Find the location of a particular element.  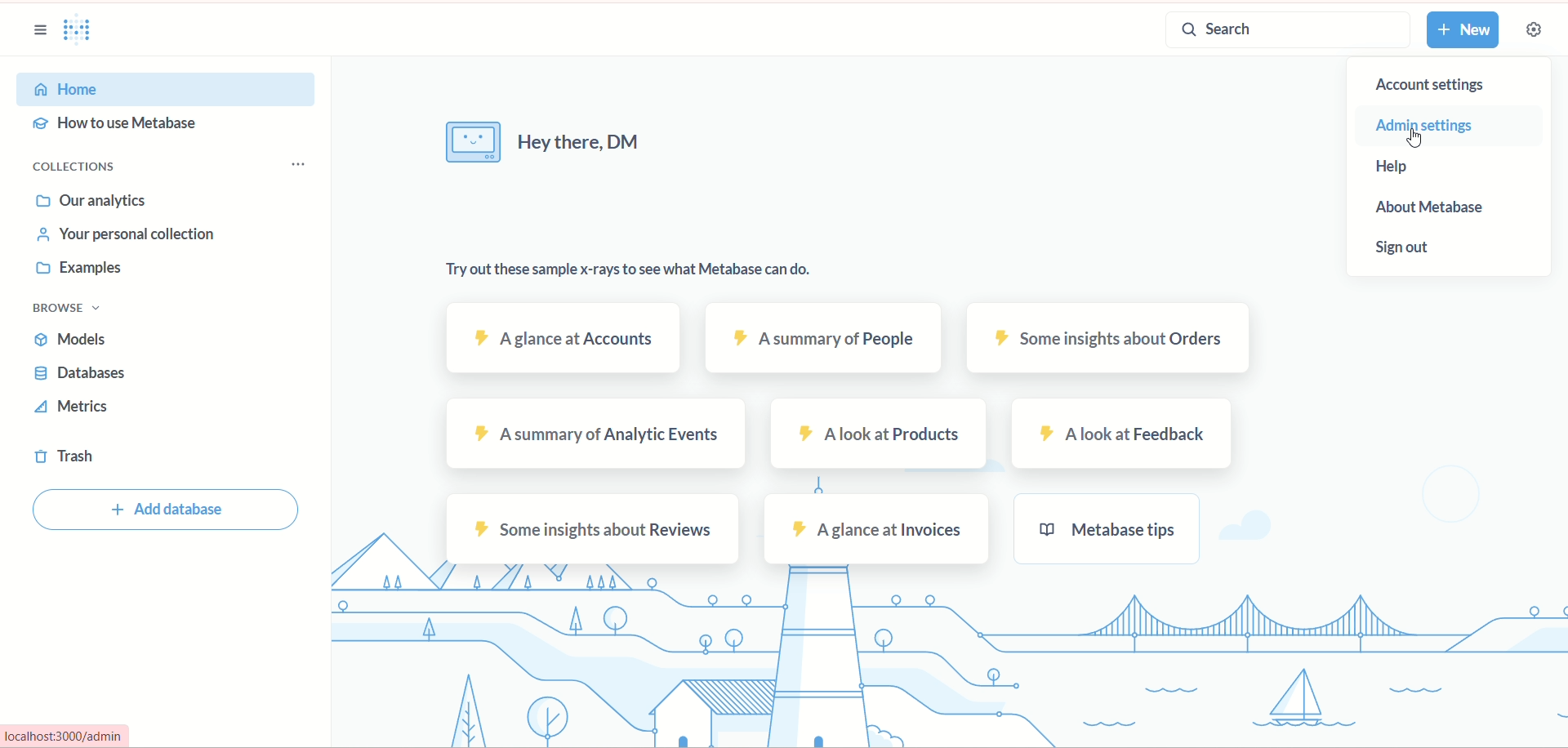

settings is located at coordinates (1536, 31).